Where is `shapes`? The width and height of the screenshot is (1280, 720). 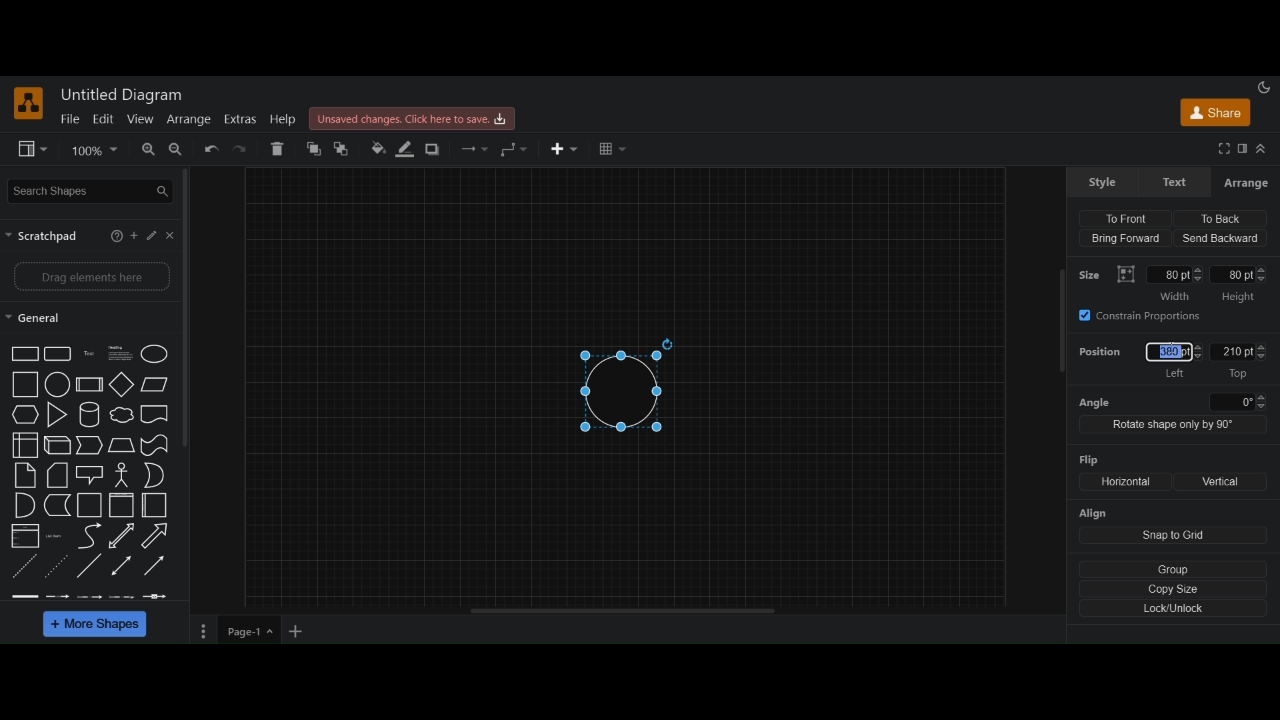 shapes is located at coordinates (25, 354).